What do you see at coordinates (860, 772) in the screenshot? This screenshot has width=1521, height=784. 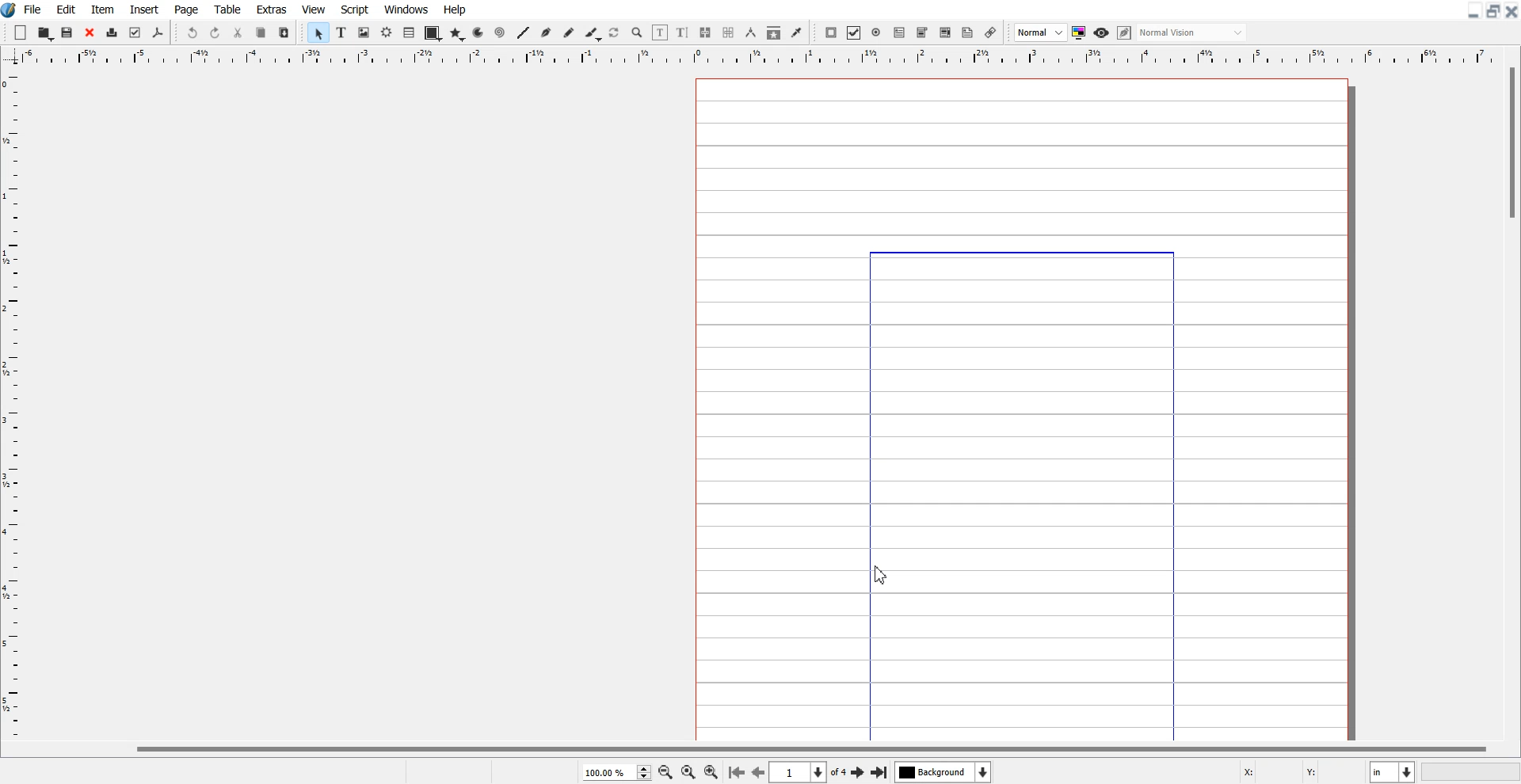 I see `Go to the First page` at bounding box center [860, 772].